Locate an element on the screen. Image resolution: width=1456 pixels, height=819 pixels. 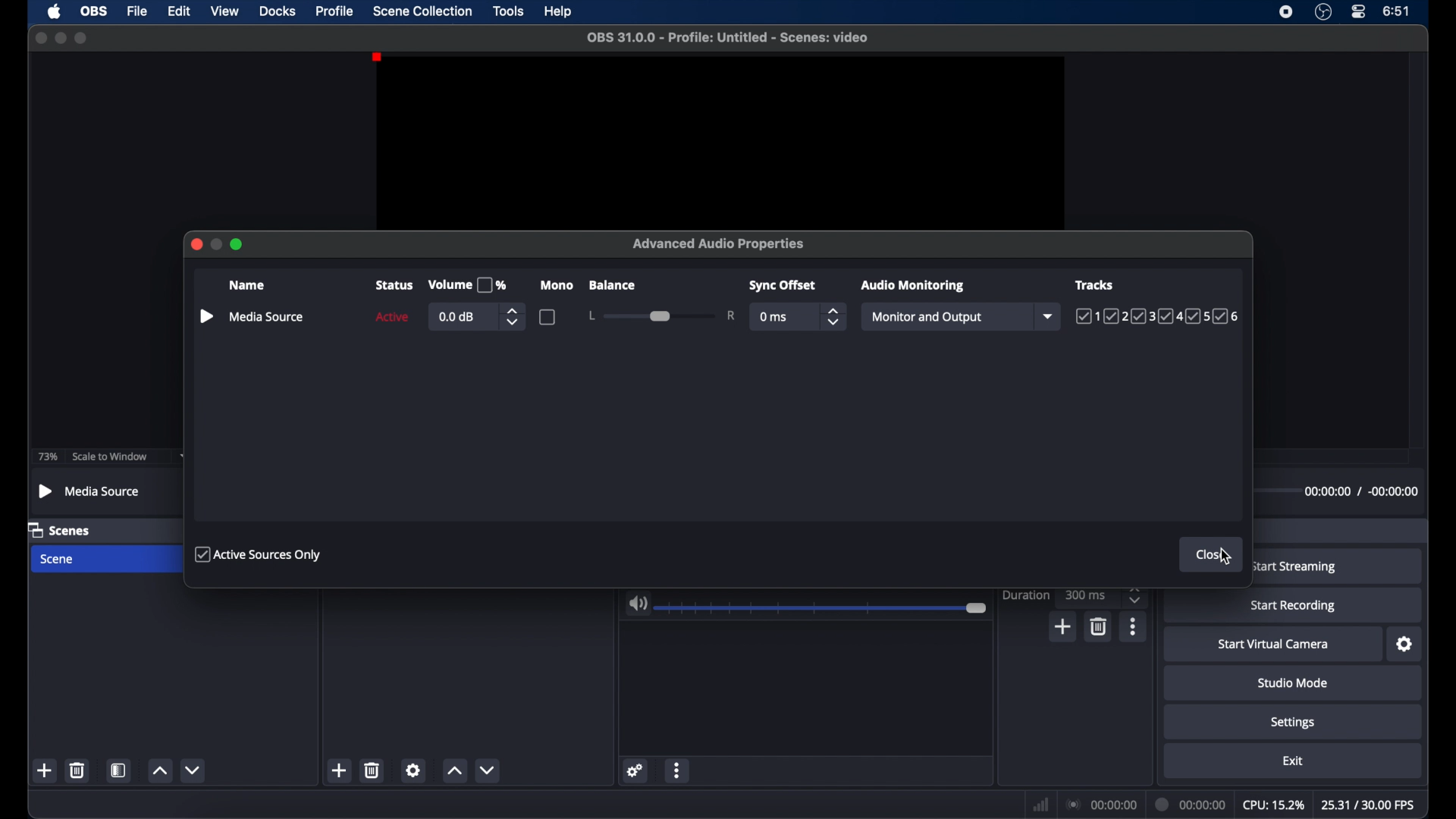
advanced audio properties is located at coordinates (719, 244).